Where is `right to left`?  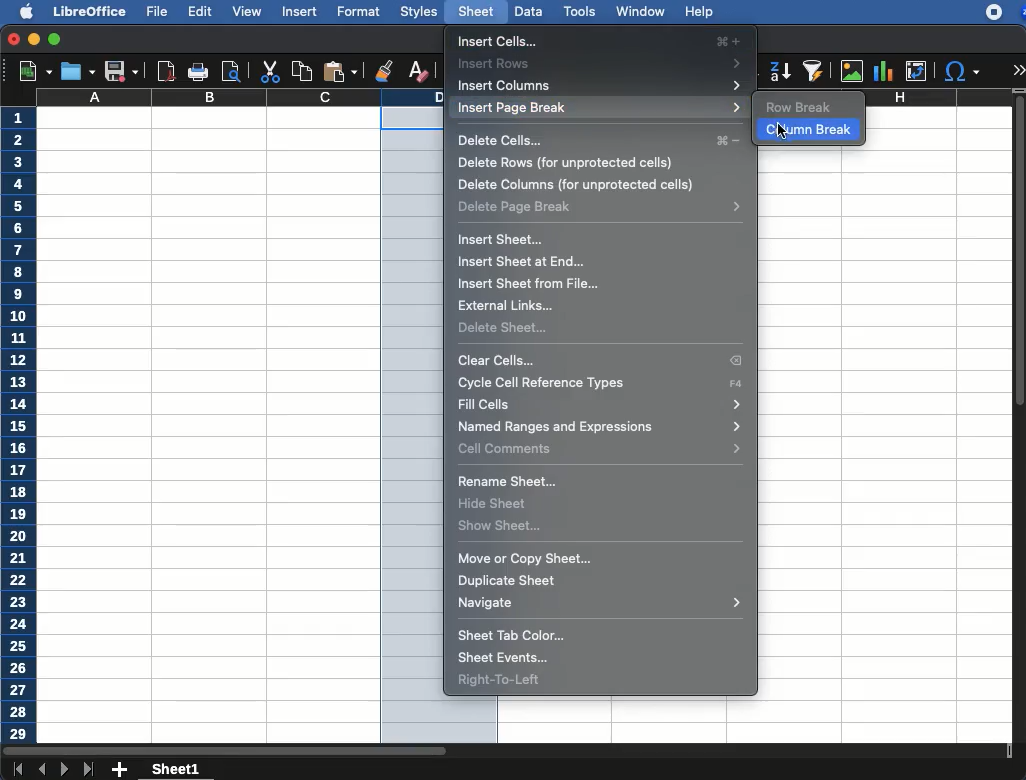
right to left is located at coordinates (503, 683).